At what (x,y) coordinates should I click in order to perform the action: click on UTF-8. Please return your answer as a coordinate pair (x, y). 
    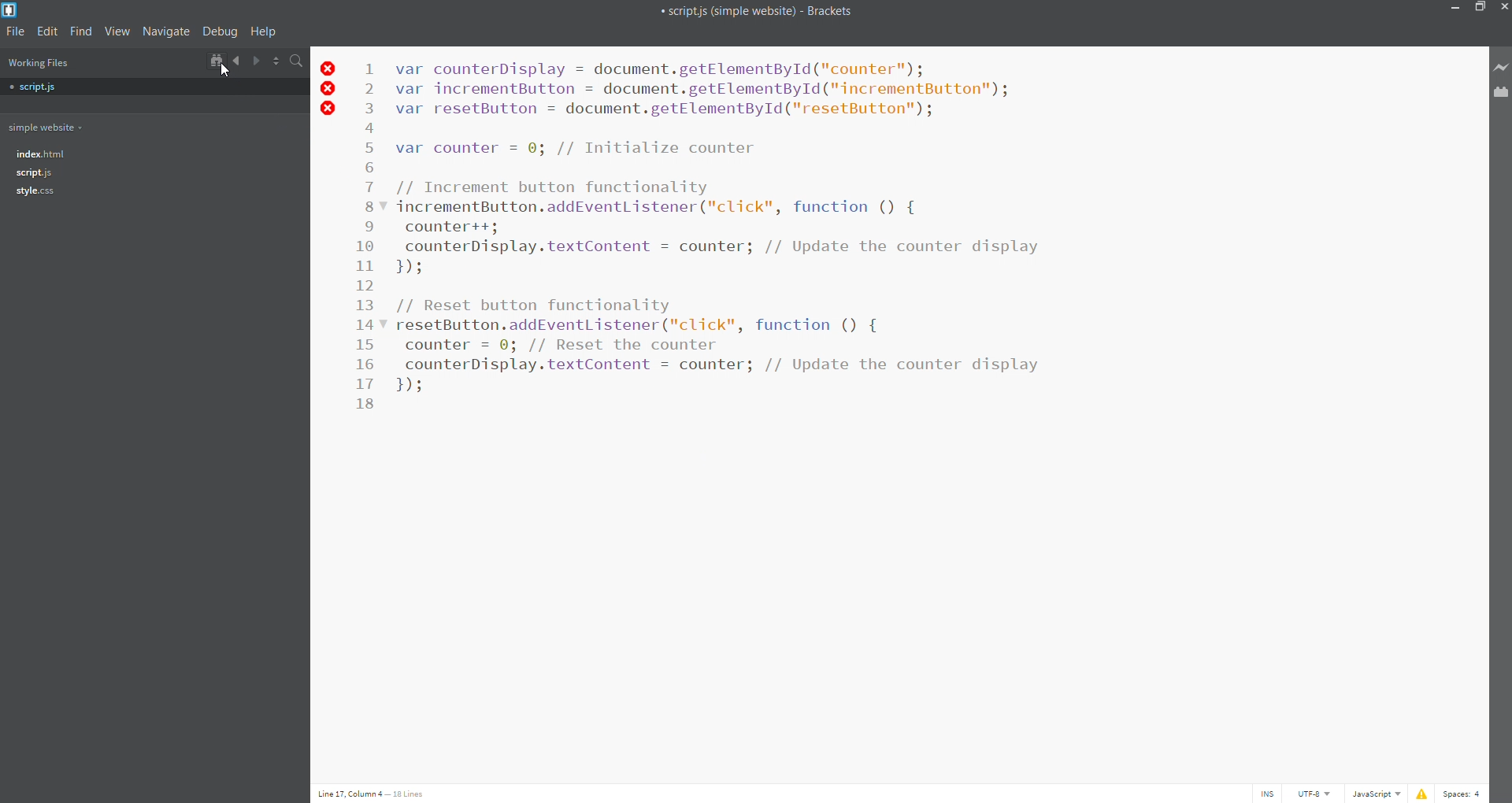
    Looking at the image, I should click on (1314, 794).